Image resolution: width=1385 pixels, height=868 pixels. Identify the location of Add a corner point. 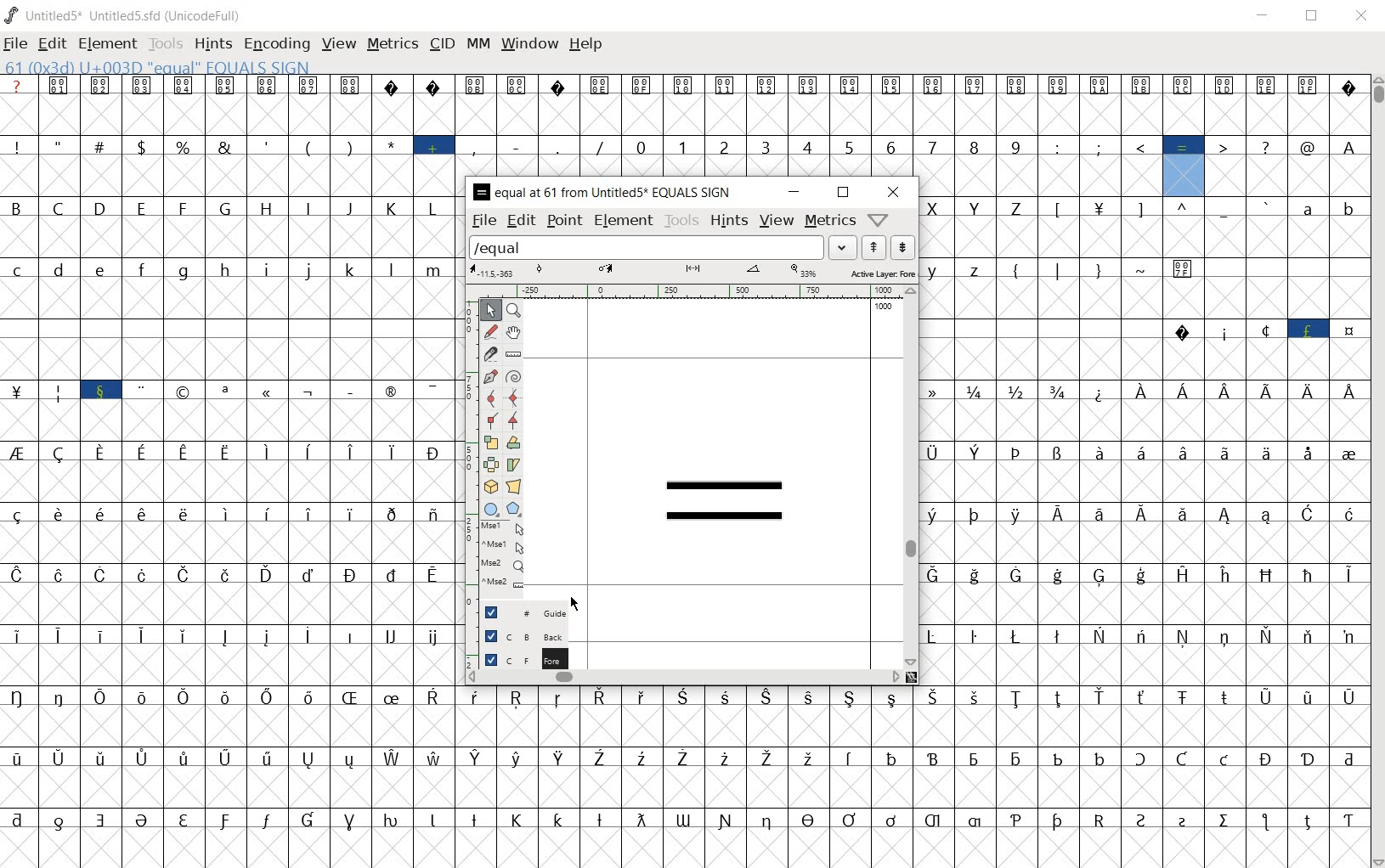
(490, 420).